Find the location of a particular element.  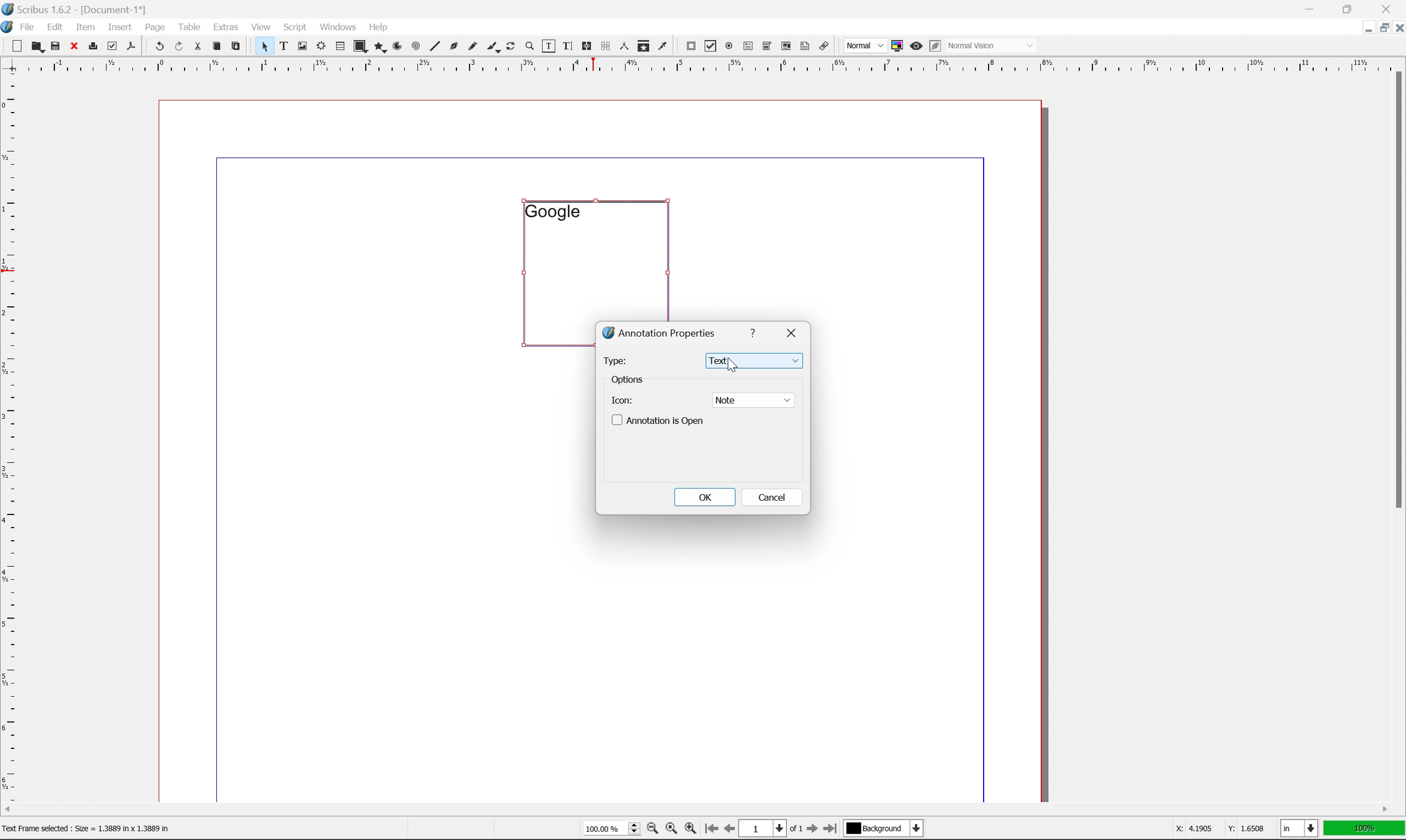

pdf radio button is located at coordinates (726, 46).